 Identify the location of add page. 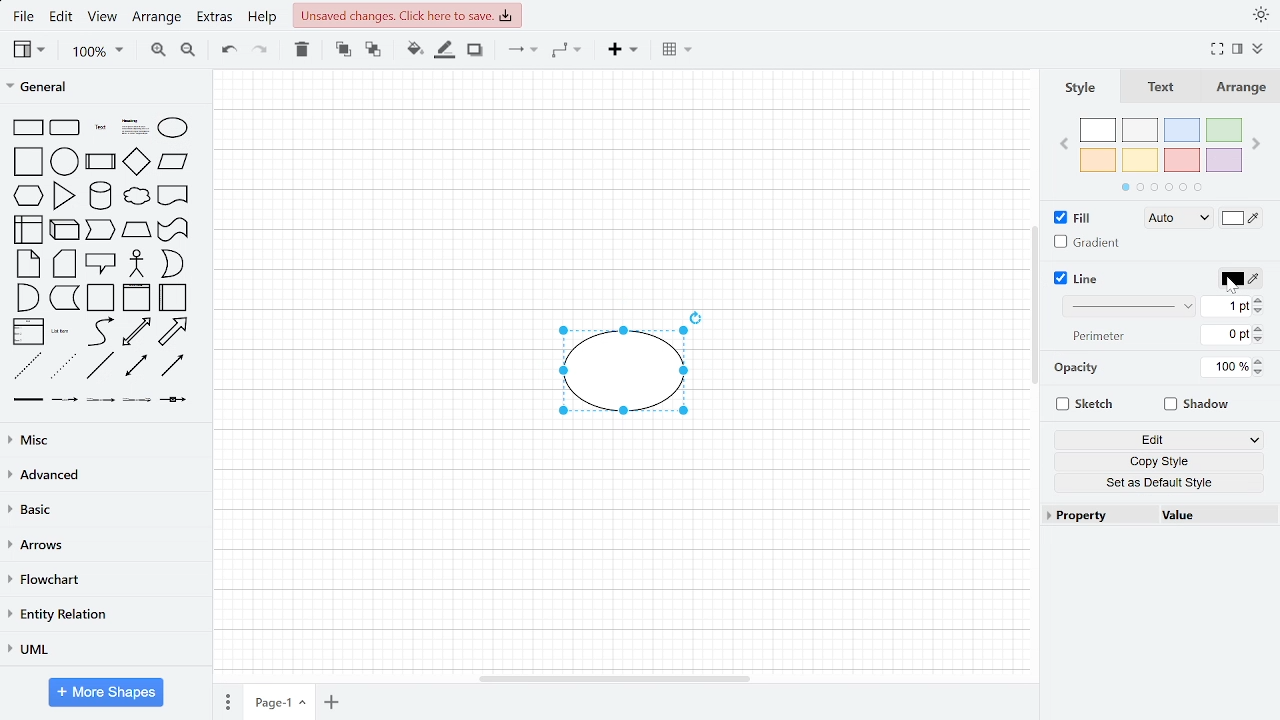
(334, 703).